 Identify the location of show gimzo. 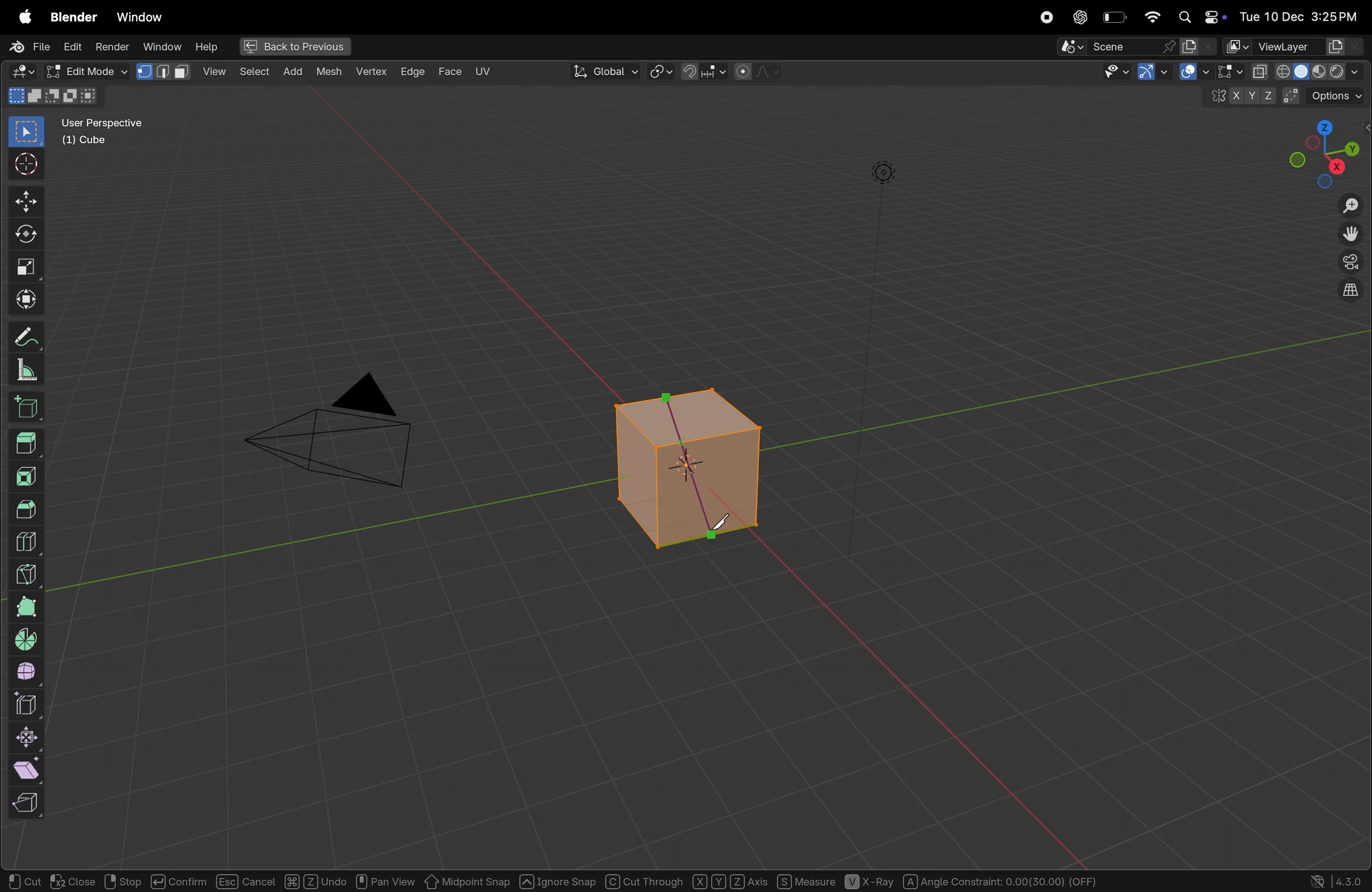
(1181, 73).